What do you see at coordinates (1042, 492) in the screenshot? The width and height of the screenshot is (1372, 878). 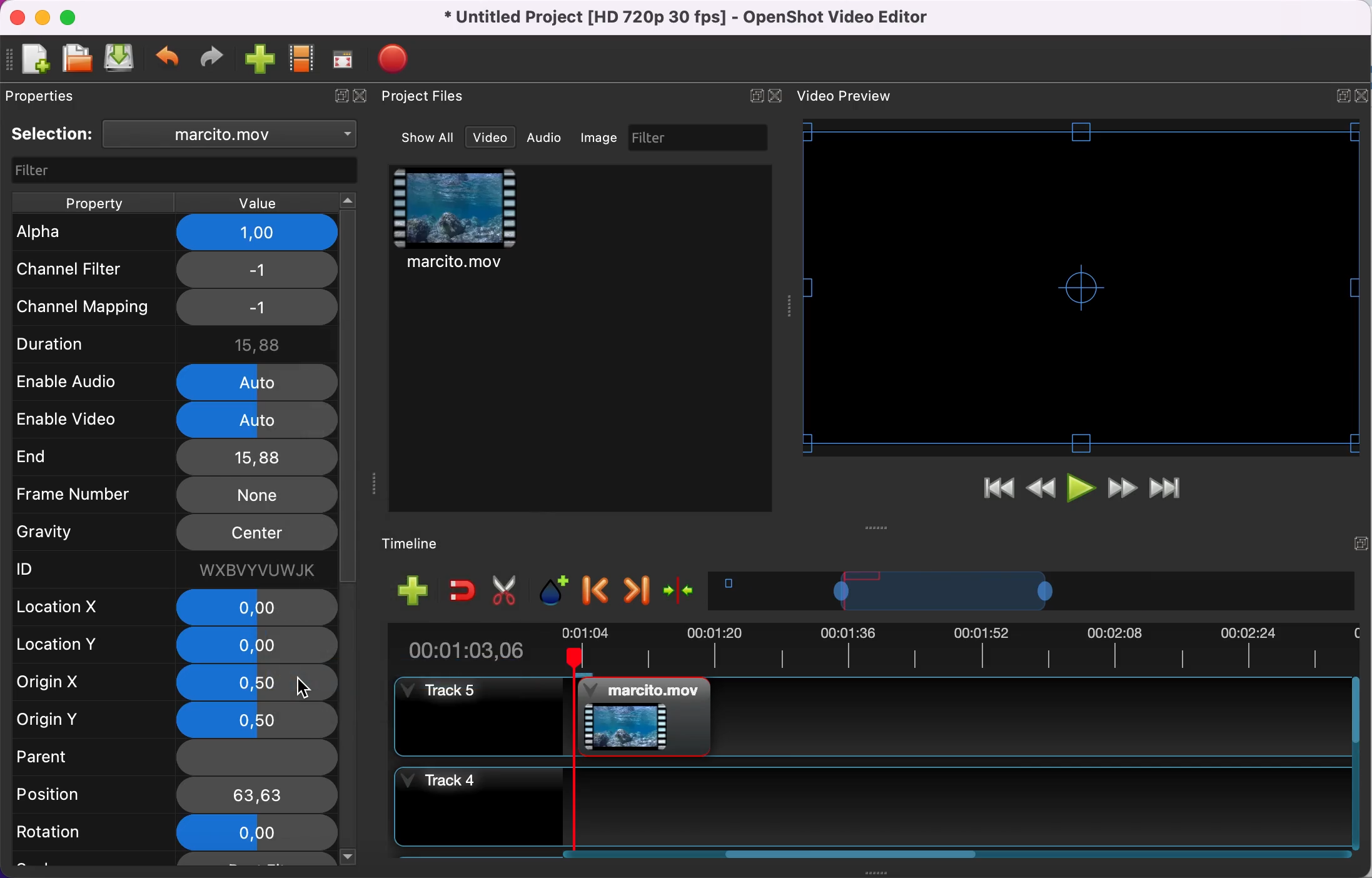 I see `rewind` at bounding box center [1042, 492].